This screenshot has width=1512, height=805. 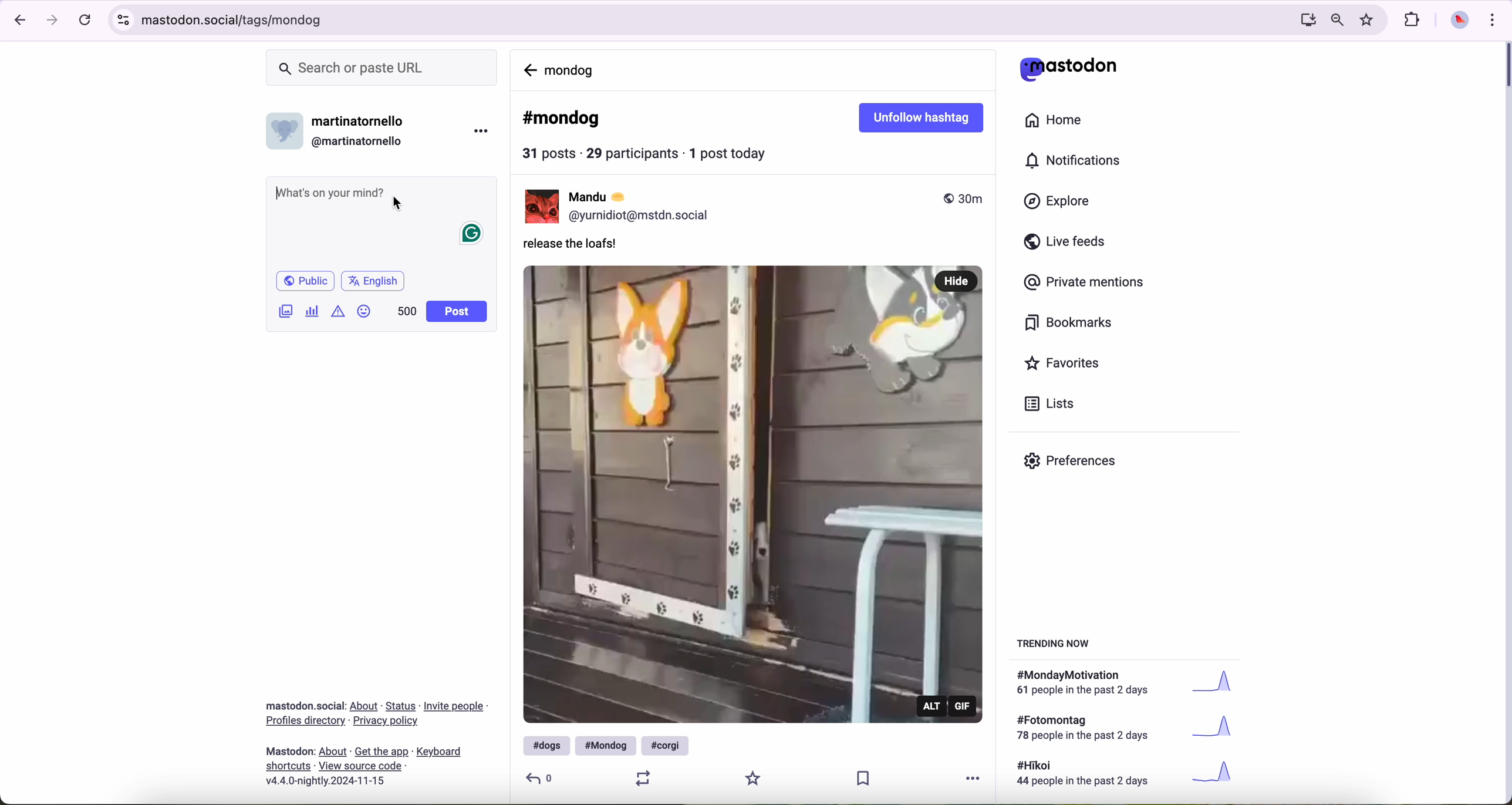 What do you see at coordinates (330, 194) in the screenshot?
I see `Whats on your mind?` at bounding box center [330, 194].